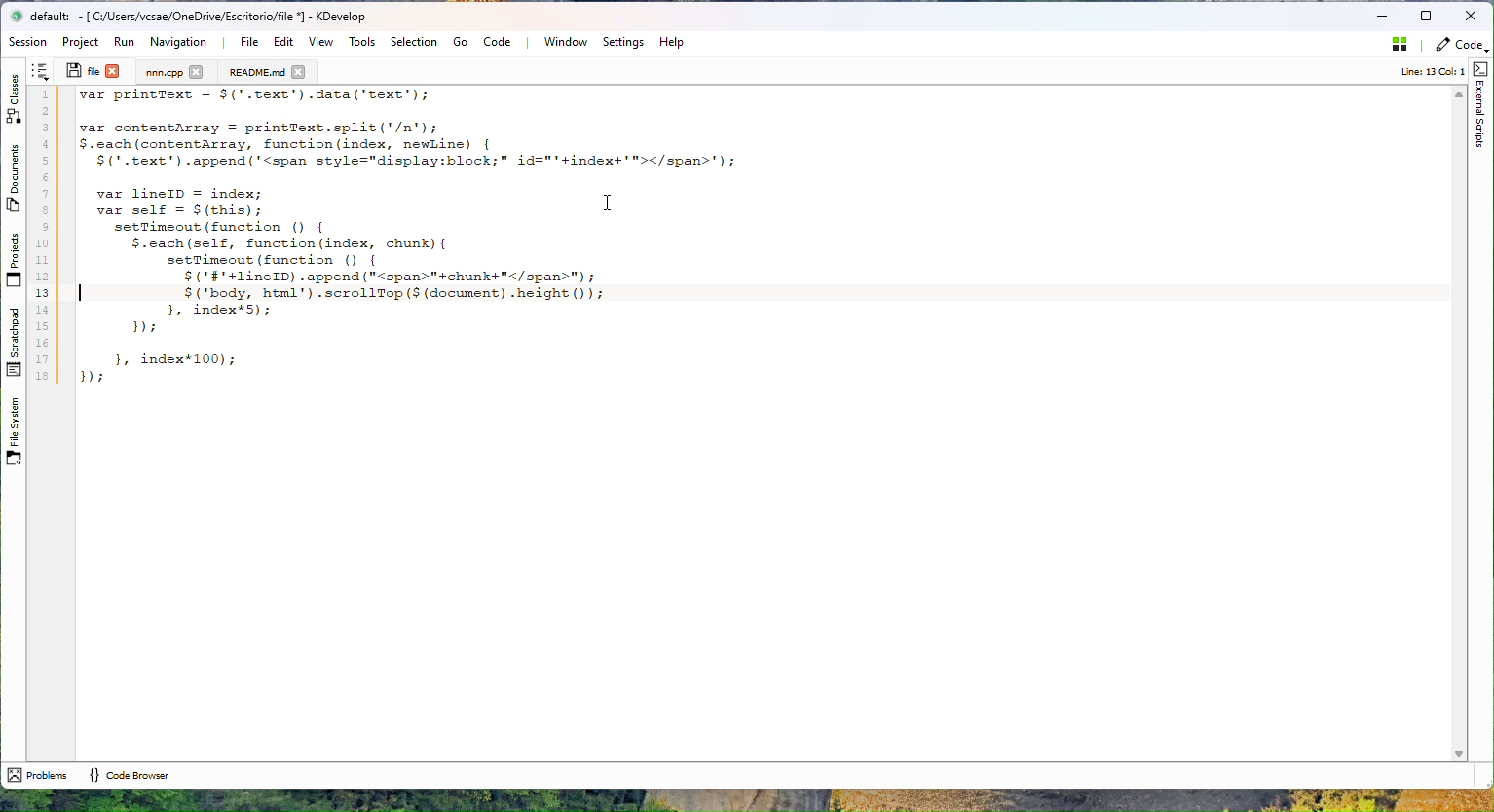  Describe the element at coordinates (30, 43) in the screenshot. I see `Session` at that location.